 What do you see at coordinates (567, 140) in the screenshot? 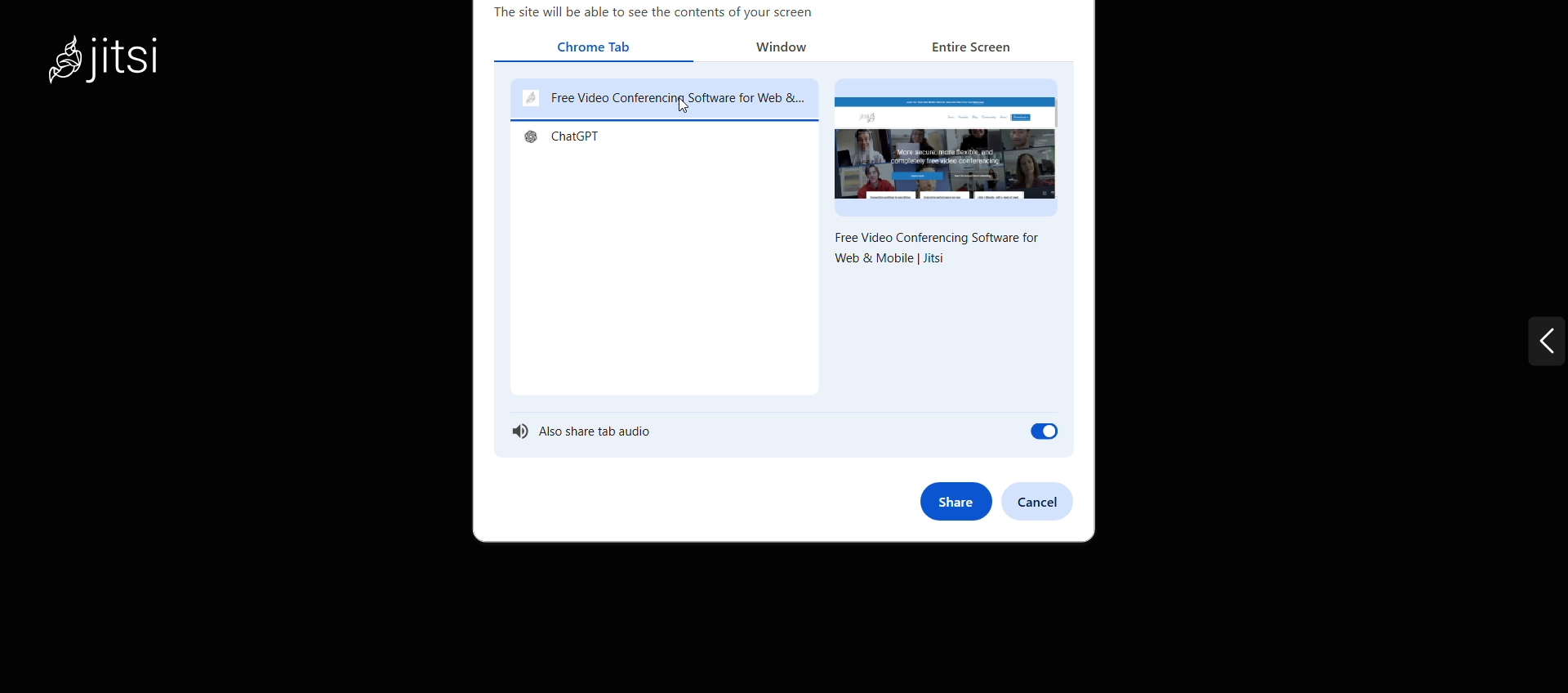
I see `chatgpt` at bounding box center [567, 140].